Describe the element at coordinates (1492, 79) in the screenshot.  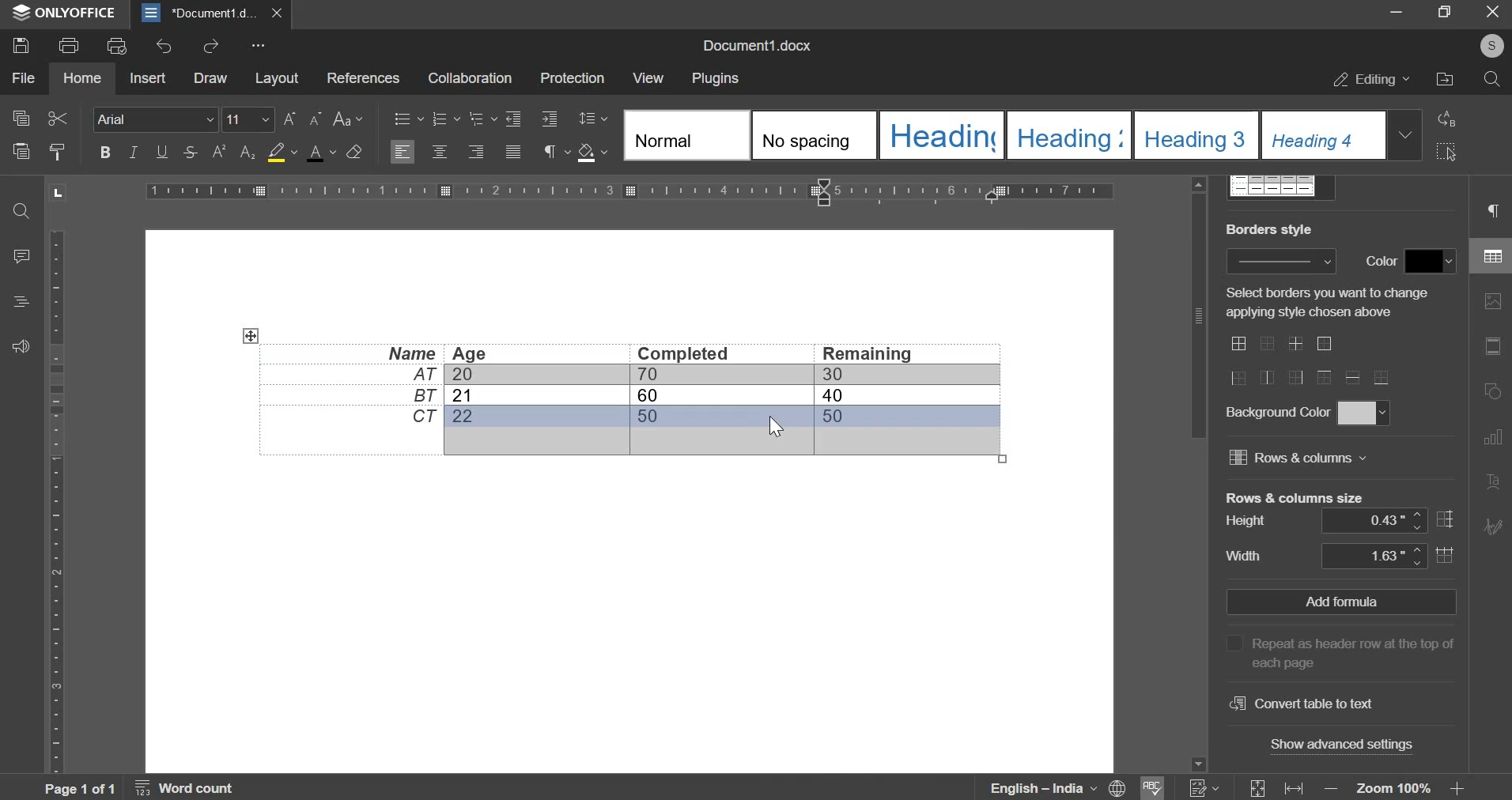
I see `search` at that location.